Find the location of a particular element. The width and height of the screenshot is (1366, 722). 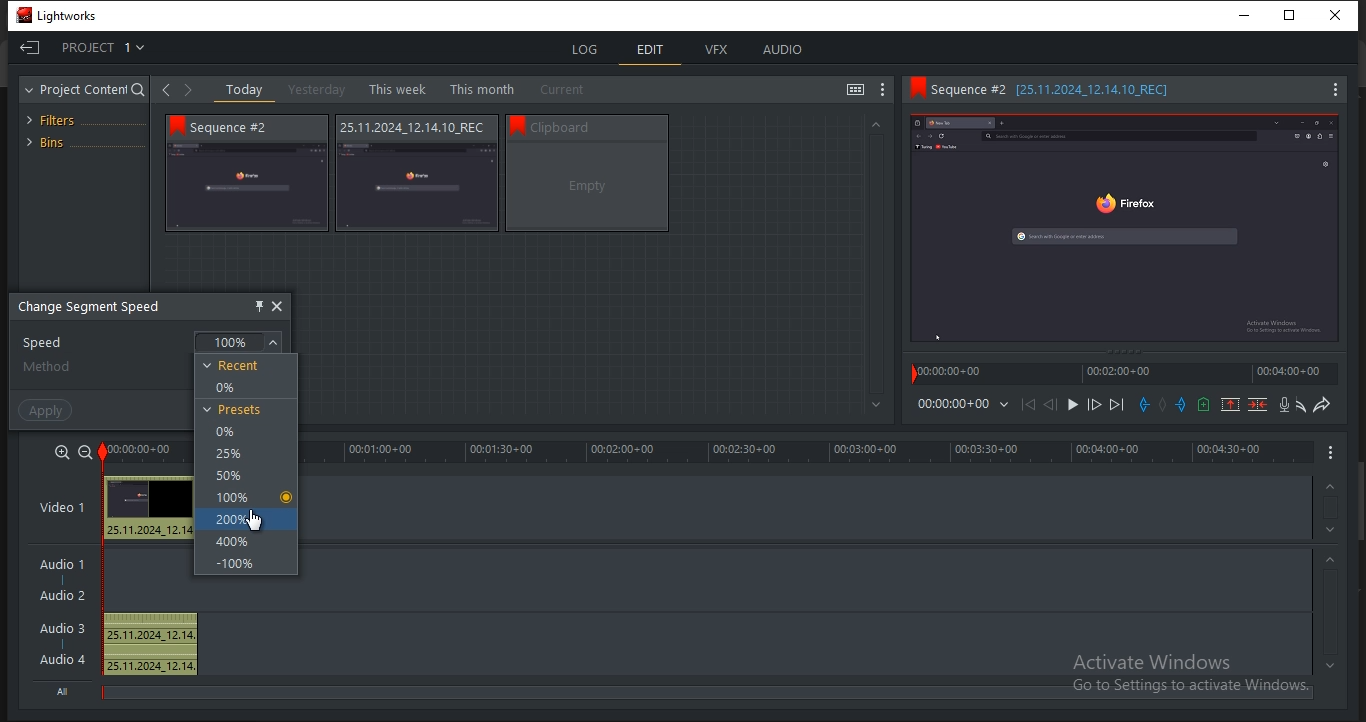

edit is located at coordinates (653, 48).